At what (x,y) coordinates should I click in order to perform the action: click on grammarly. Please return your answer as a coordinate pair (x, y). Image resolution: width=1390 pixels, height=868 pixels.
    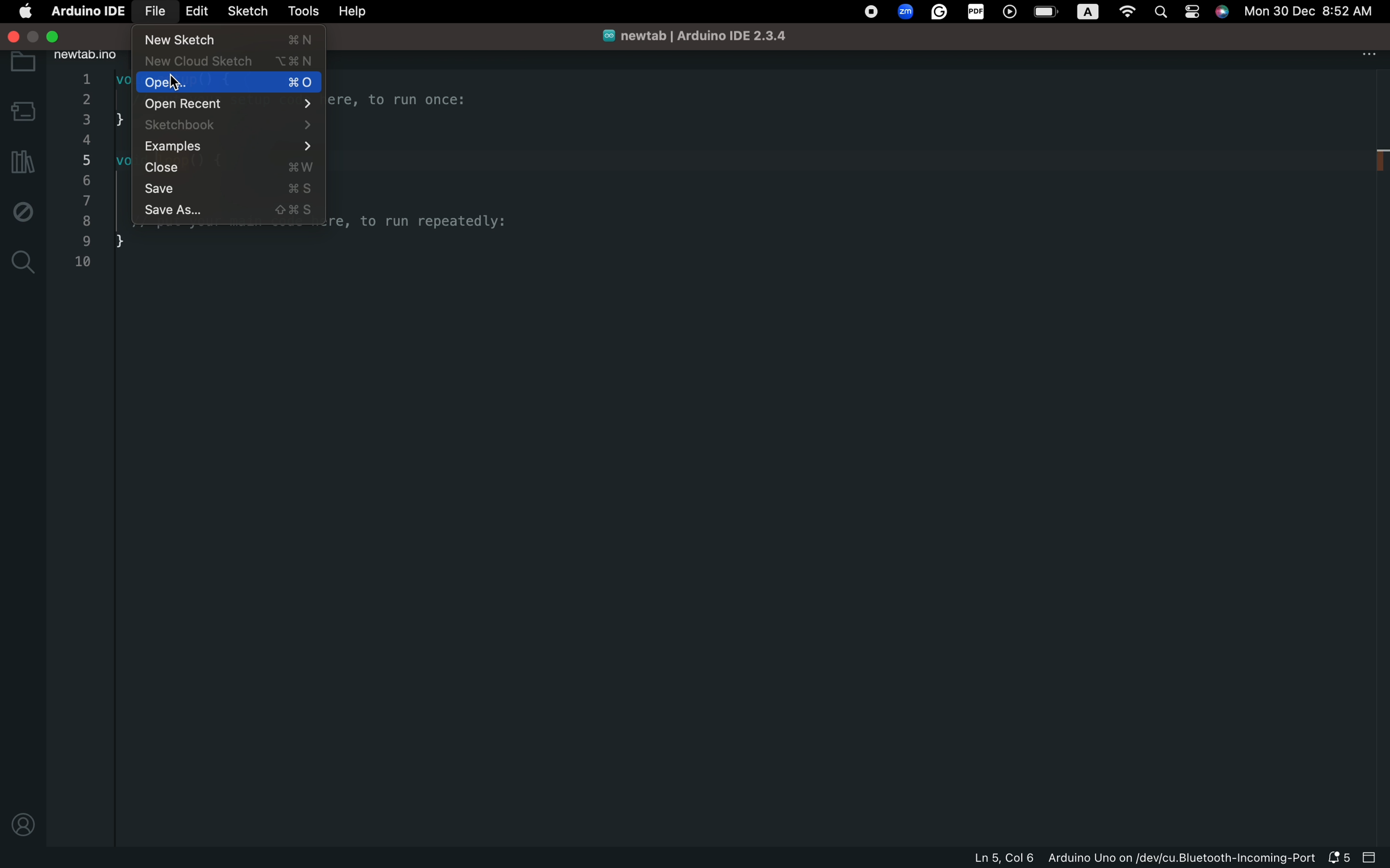
    Looking at the image, I should click on (940, 11).